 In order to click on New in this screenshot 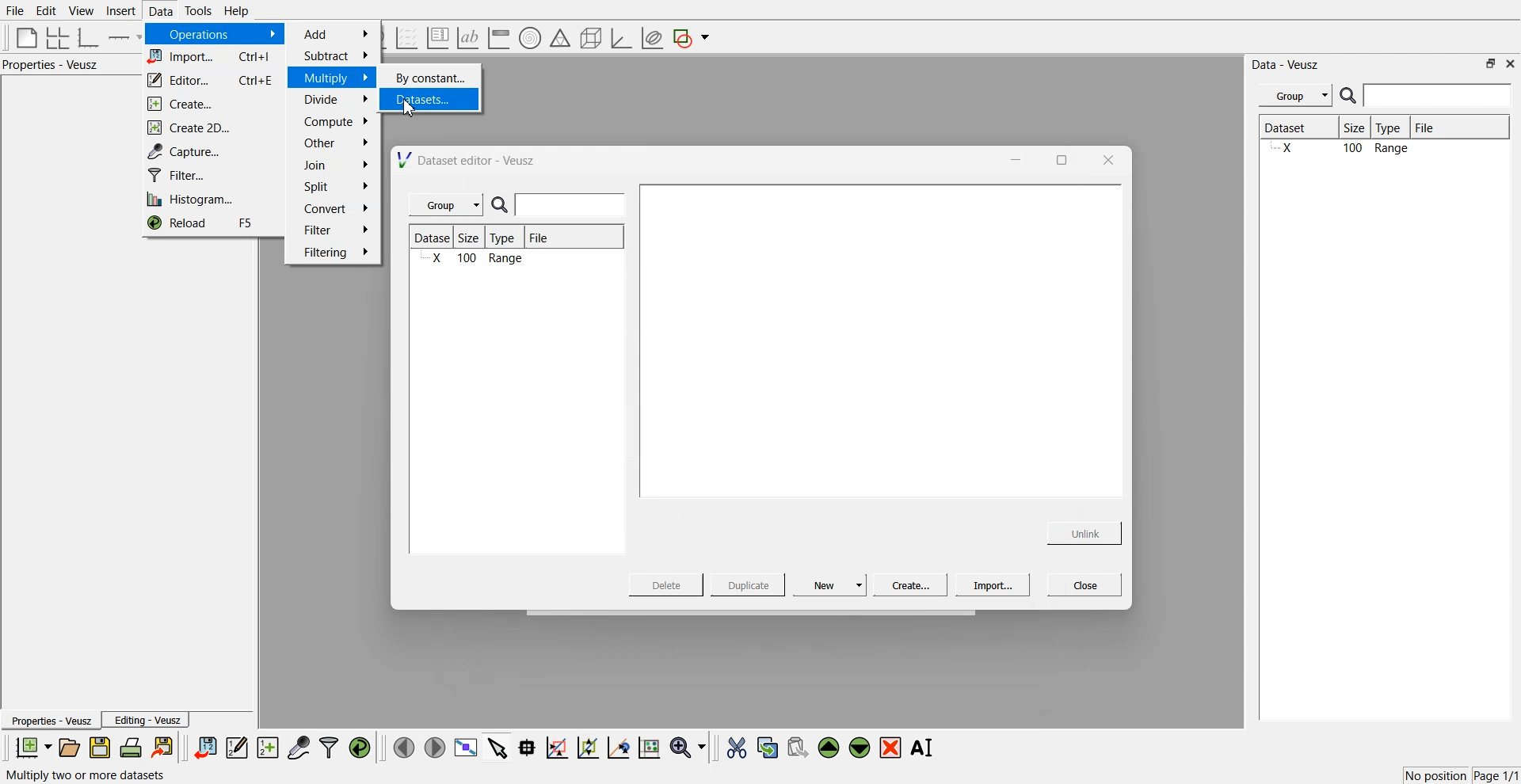, I will do `click(832, 584)`.